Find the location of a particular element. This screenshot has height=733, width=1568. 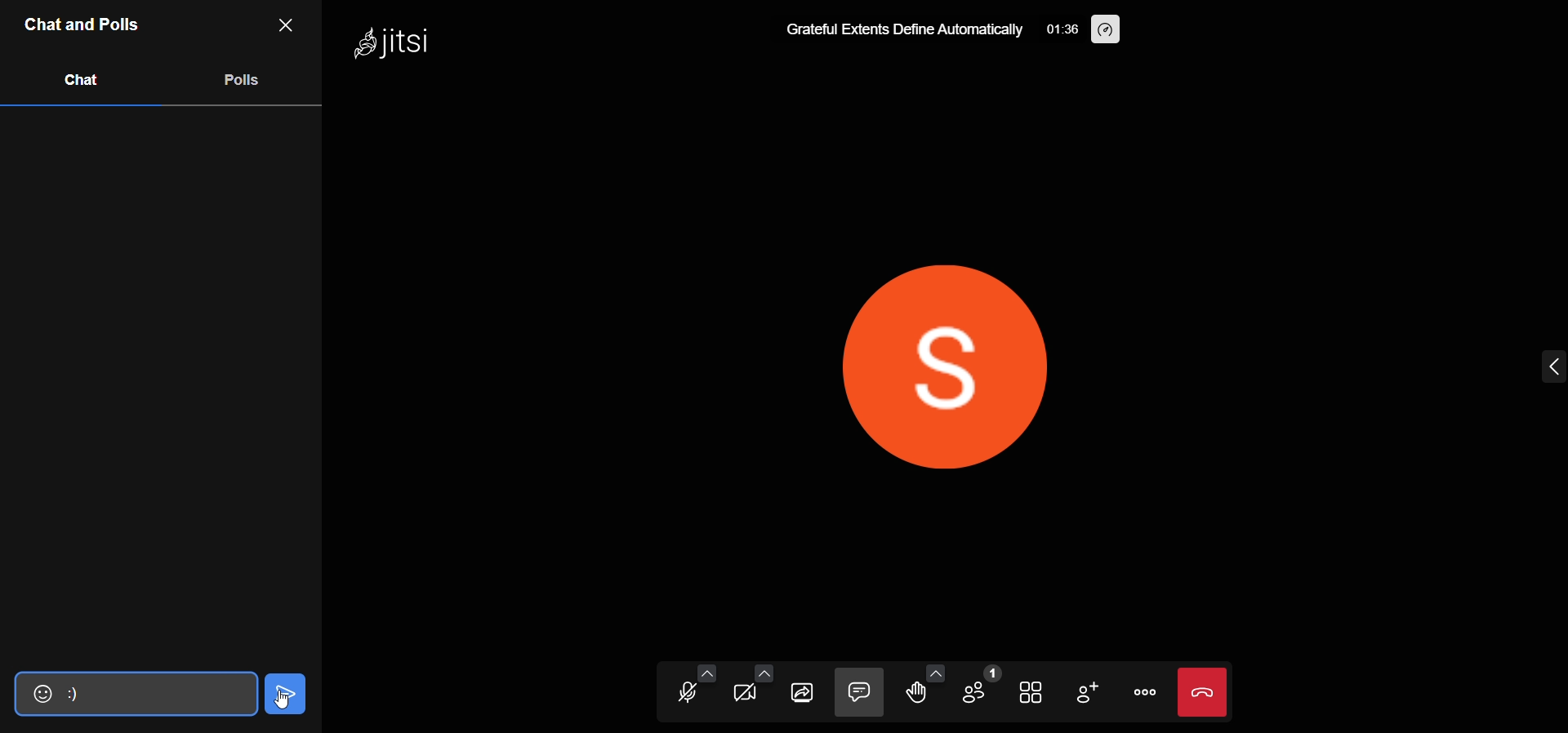

invite people is located at coordinates (1089, 693).